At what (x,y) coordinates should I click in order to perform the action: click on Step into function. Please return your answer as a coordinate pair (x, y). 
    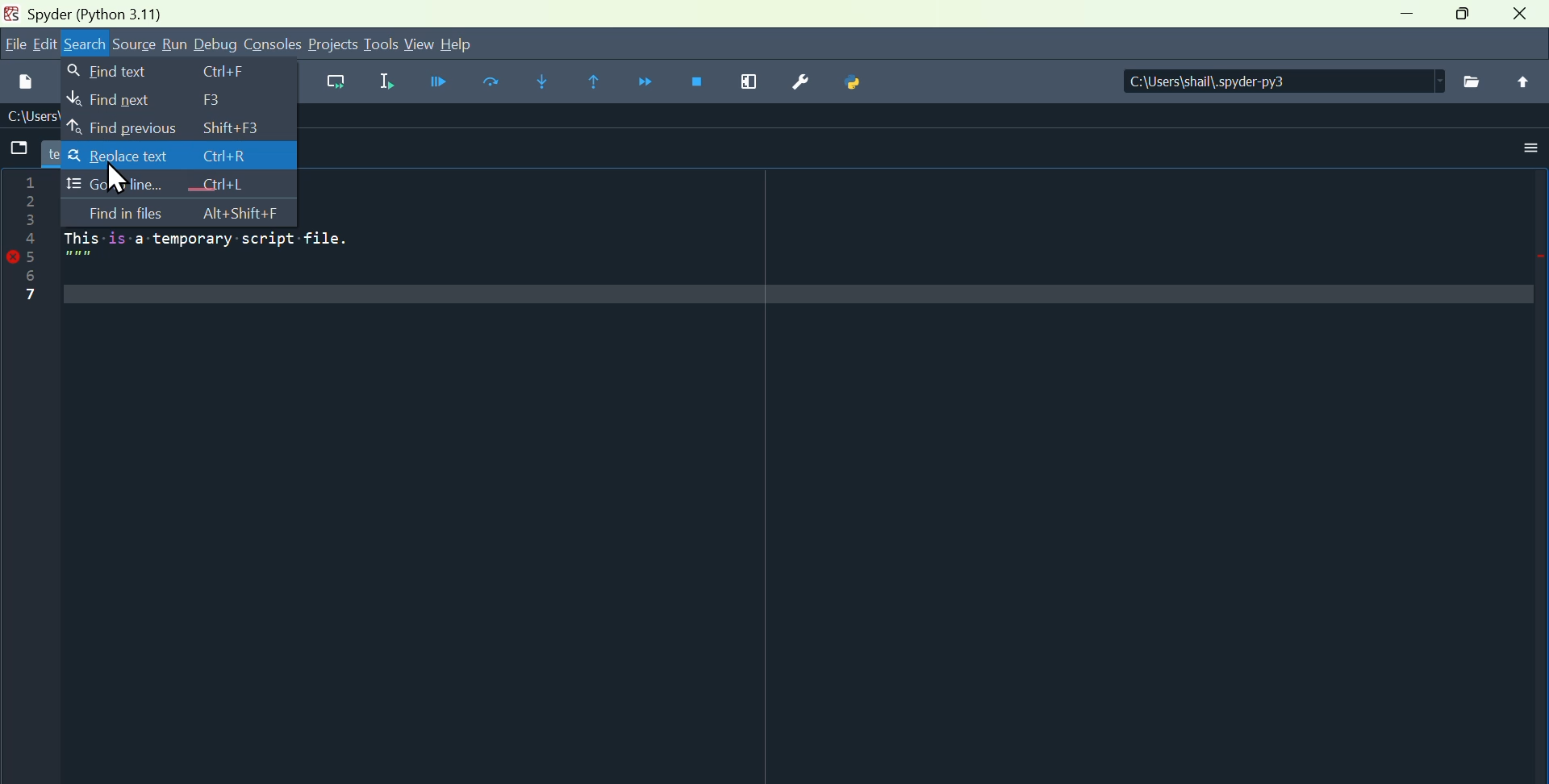
    Looking at the image, I should click on (543, 83).